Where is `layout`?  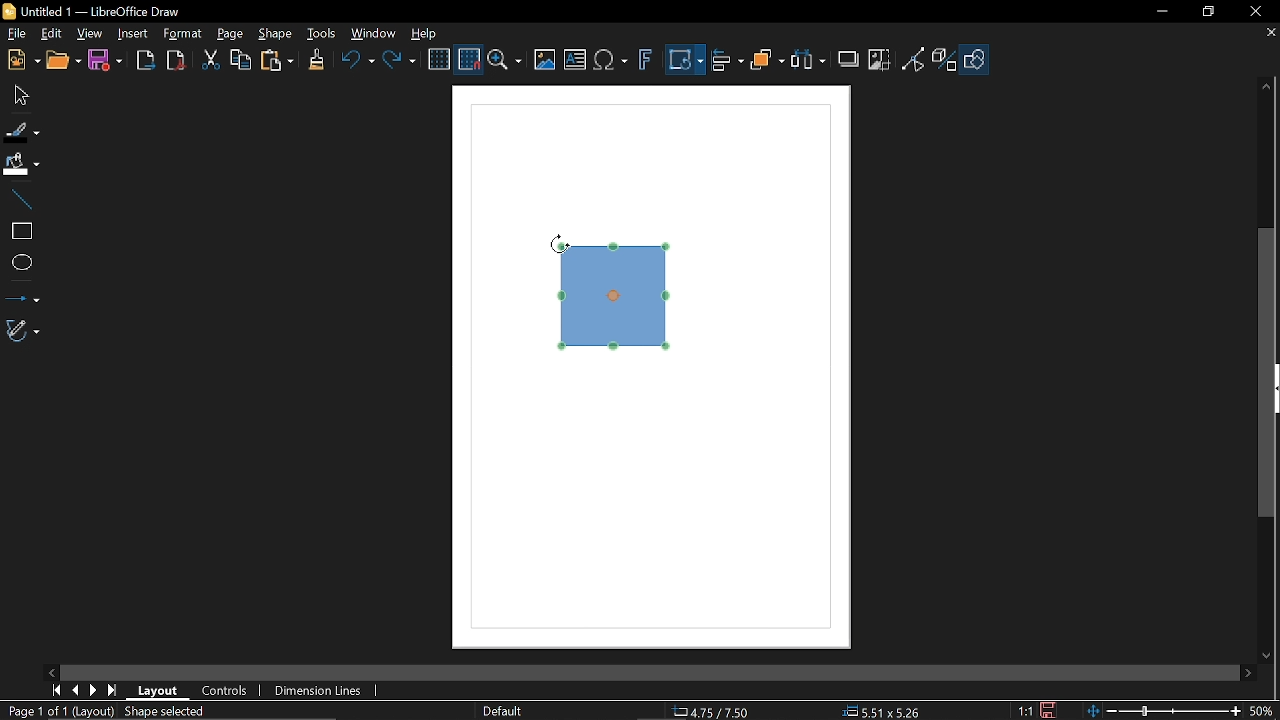
layout is located at coordinates (158, 692).